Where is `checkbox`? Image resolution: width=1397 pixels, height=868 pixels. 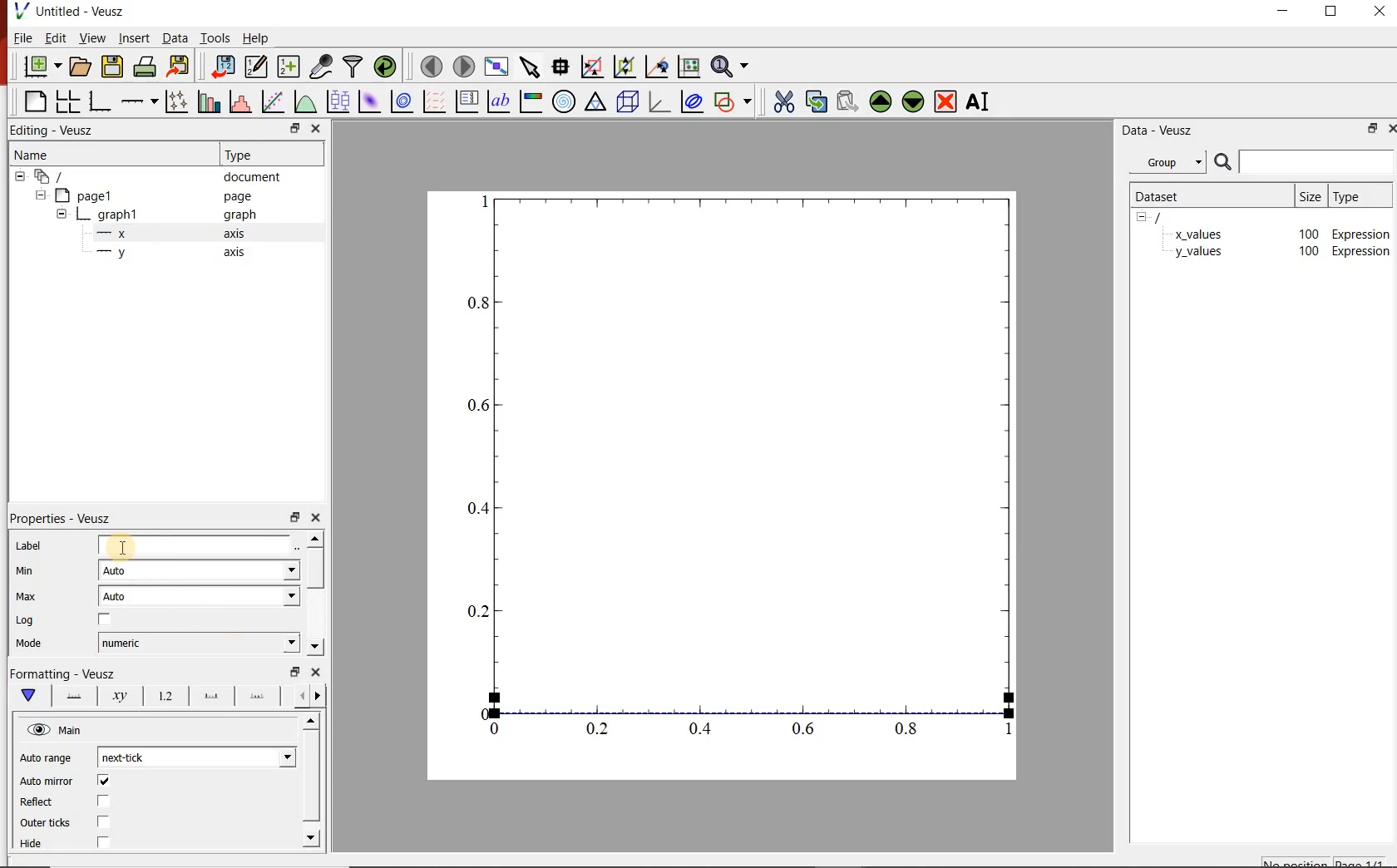
checkbox is located at coordinates (106, 619).